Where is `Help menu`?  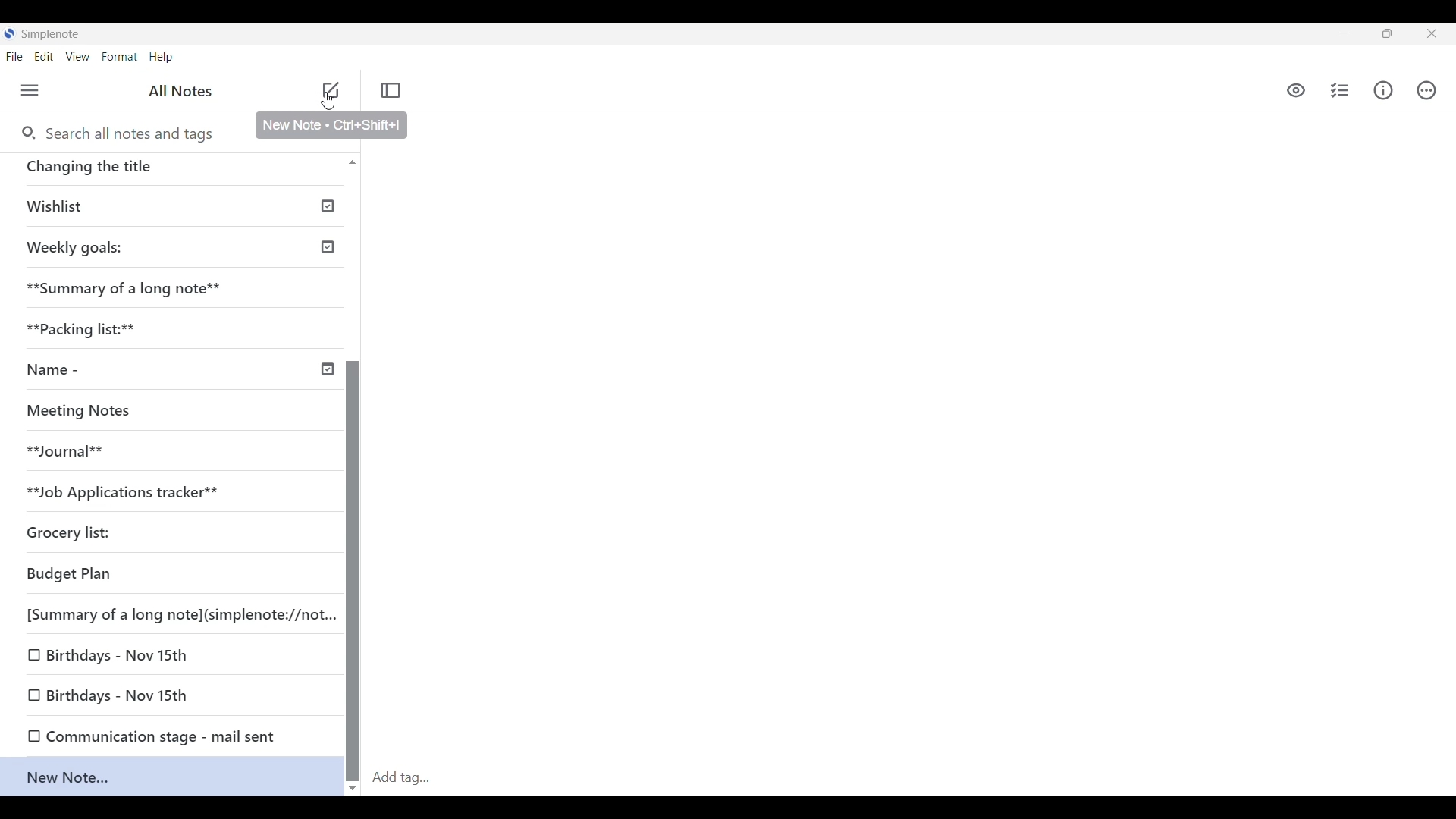 Help menu is located at coordinates (161, 57).